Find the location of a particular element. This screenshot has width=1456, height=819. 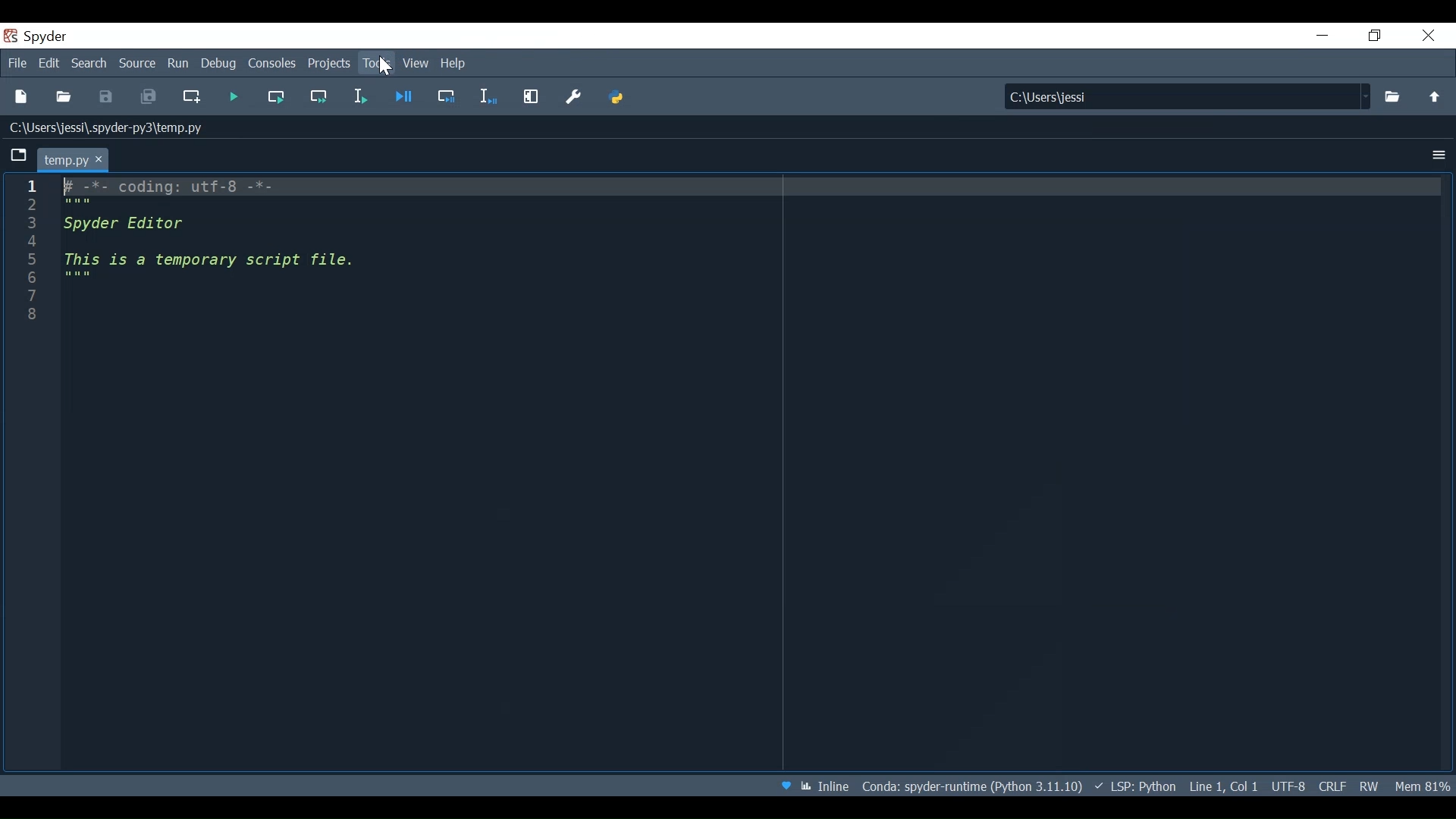

Debug cell is located at coordinates (444, 99).